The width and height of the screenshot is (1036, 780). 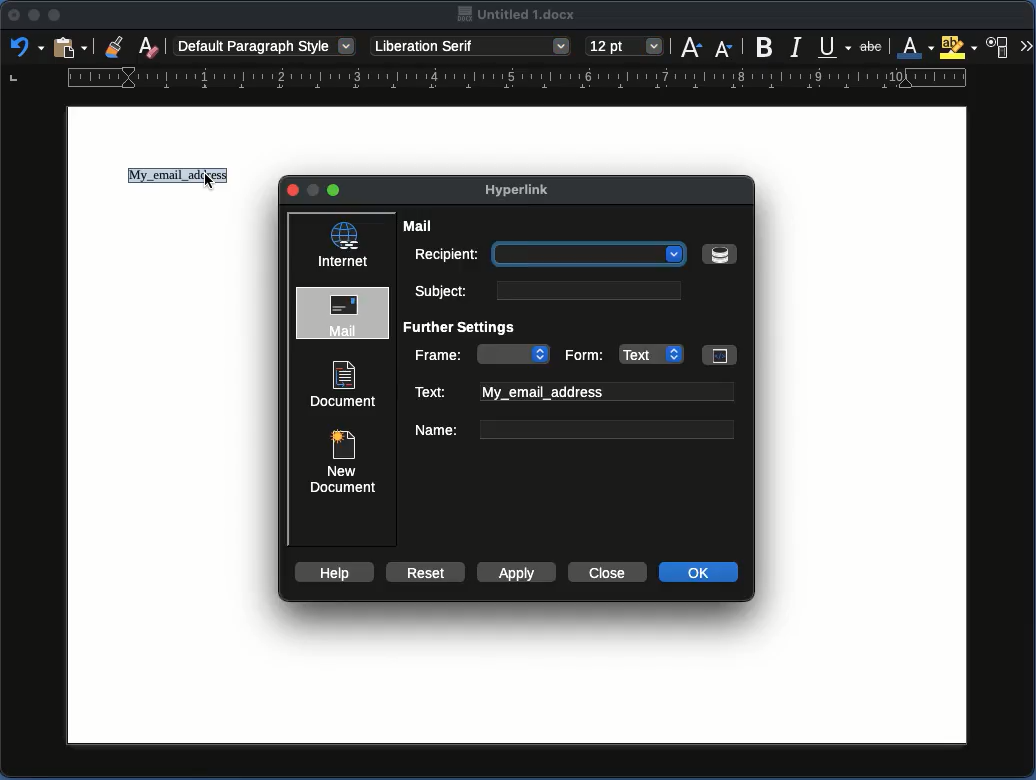 What do you see at coordinates (691, 47) in the screenshot?
I see `Size increase` at bounding box center [691, 47].